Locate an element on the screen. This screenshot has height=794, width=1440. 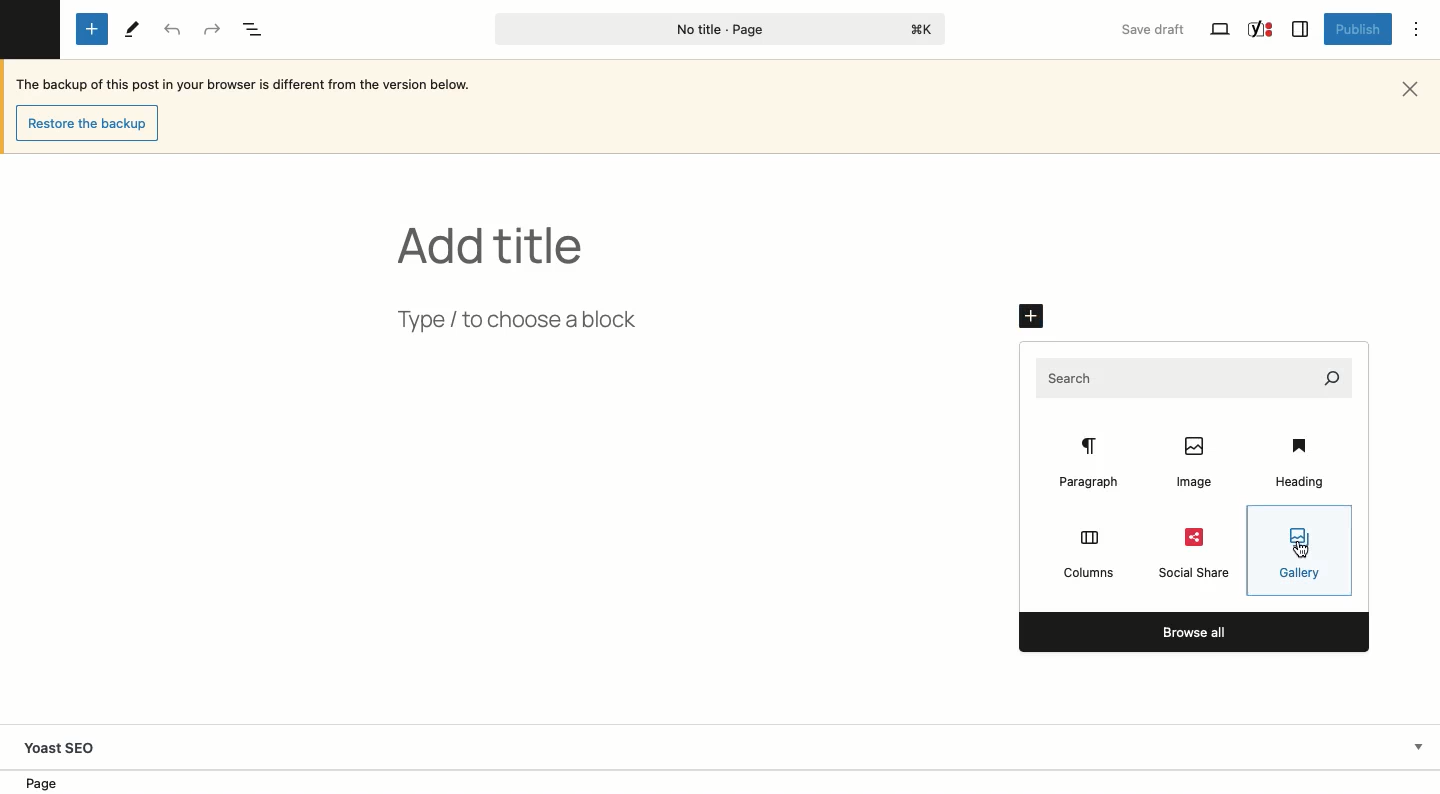
he backup of this post in your browser is different from the version below. is located at coordinates (258, 84).